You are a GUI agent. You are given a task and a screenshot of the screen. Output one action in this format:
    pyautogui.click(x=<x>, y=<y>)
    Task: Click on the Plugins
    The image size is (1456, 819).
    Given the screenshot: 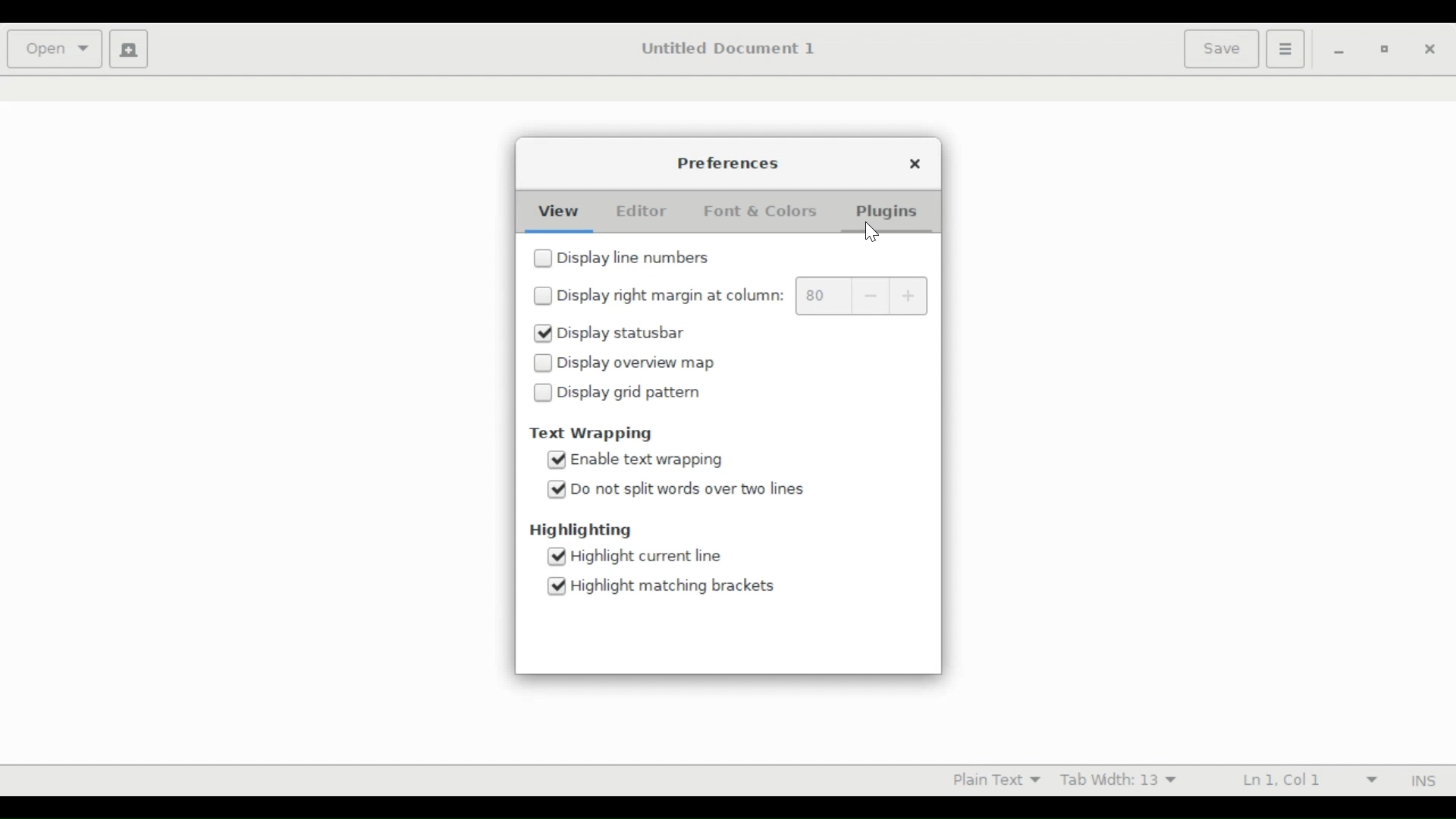 What is the action you would take?
    pyautogui.click(x=889, y=213)
    